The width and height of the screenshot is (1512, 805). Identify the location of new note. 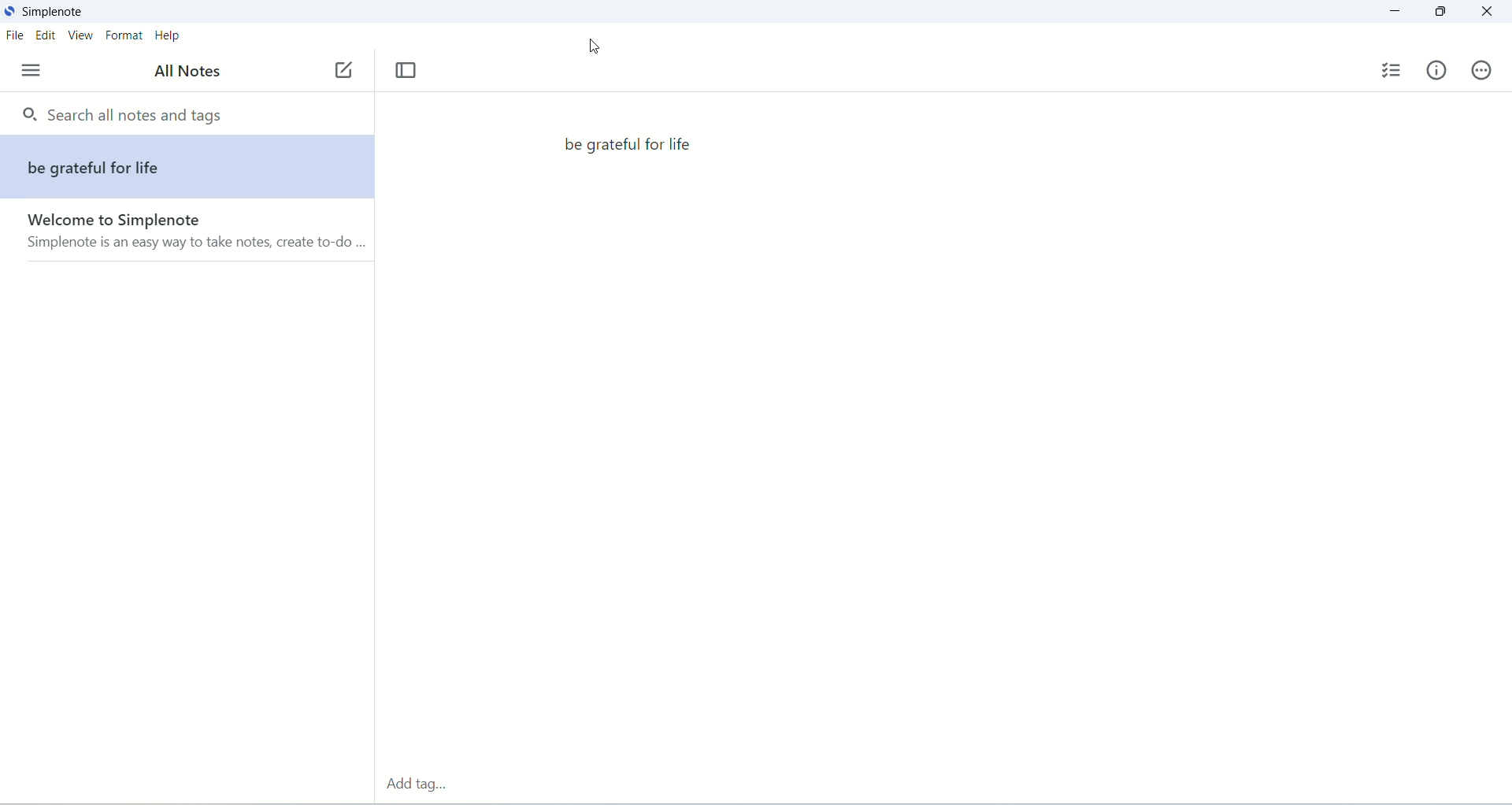
(346, 68).